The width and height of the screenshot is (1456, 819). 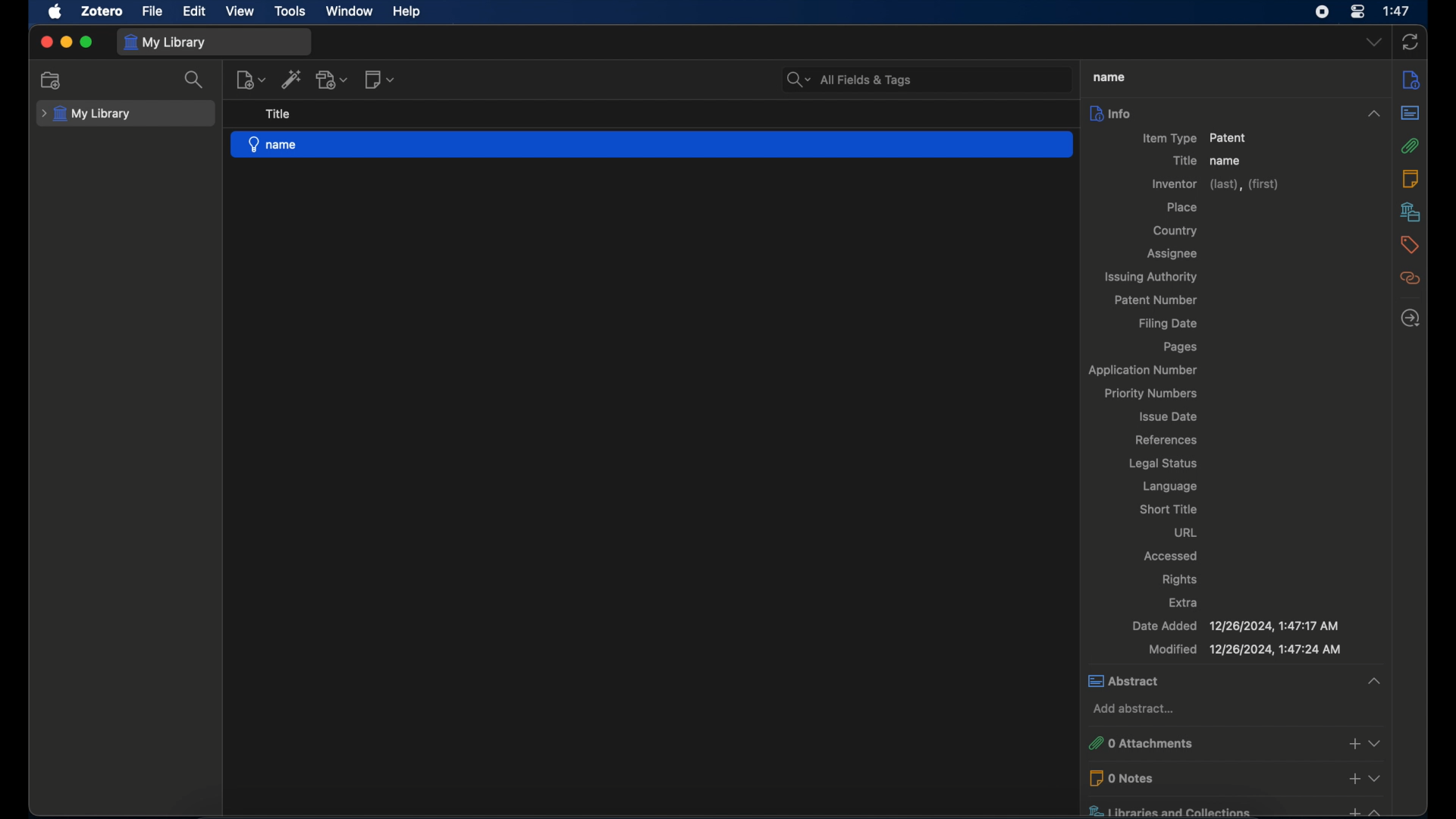 I want to click on title, so click(x=1184, y=160).